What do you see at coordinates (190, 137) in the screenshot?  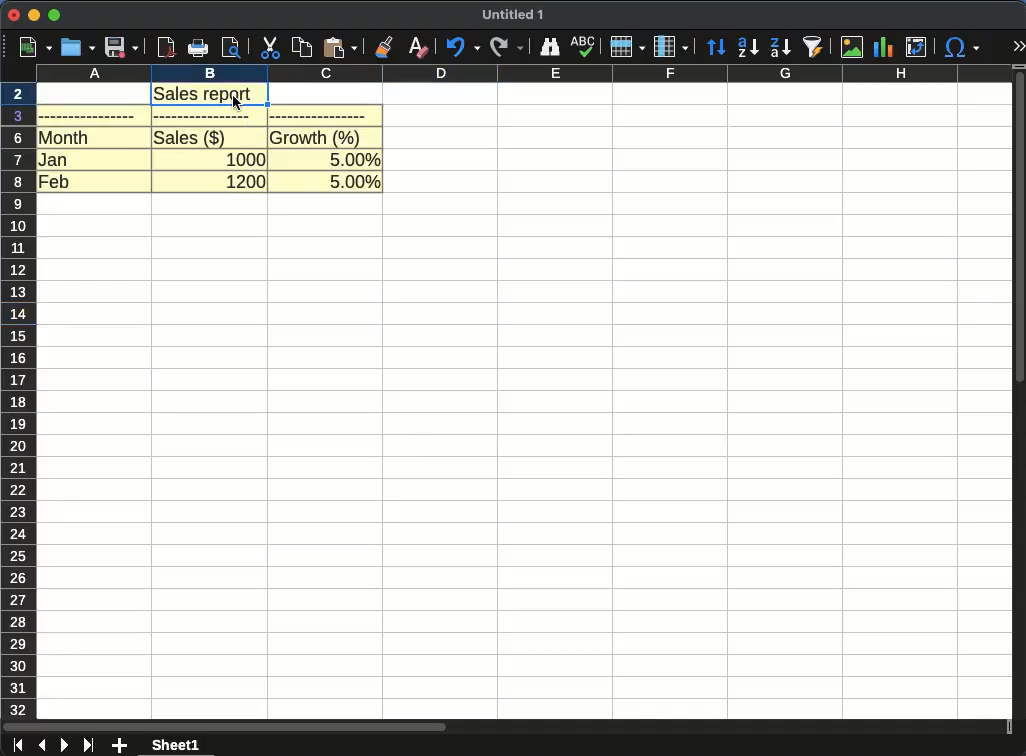 I see `sales($)` at bounding box center [190, 137].